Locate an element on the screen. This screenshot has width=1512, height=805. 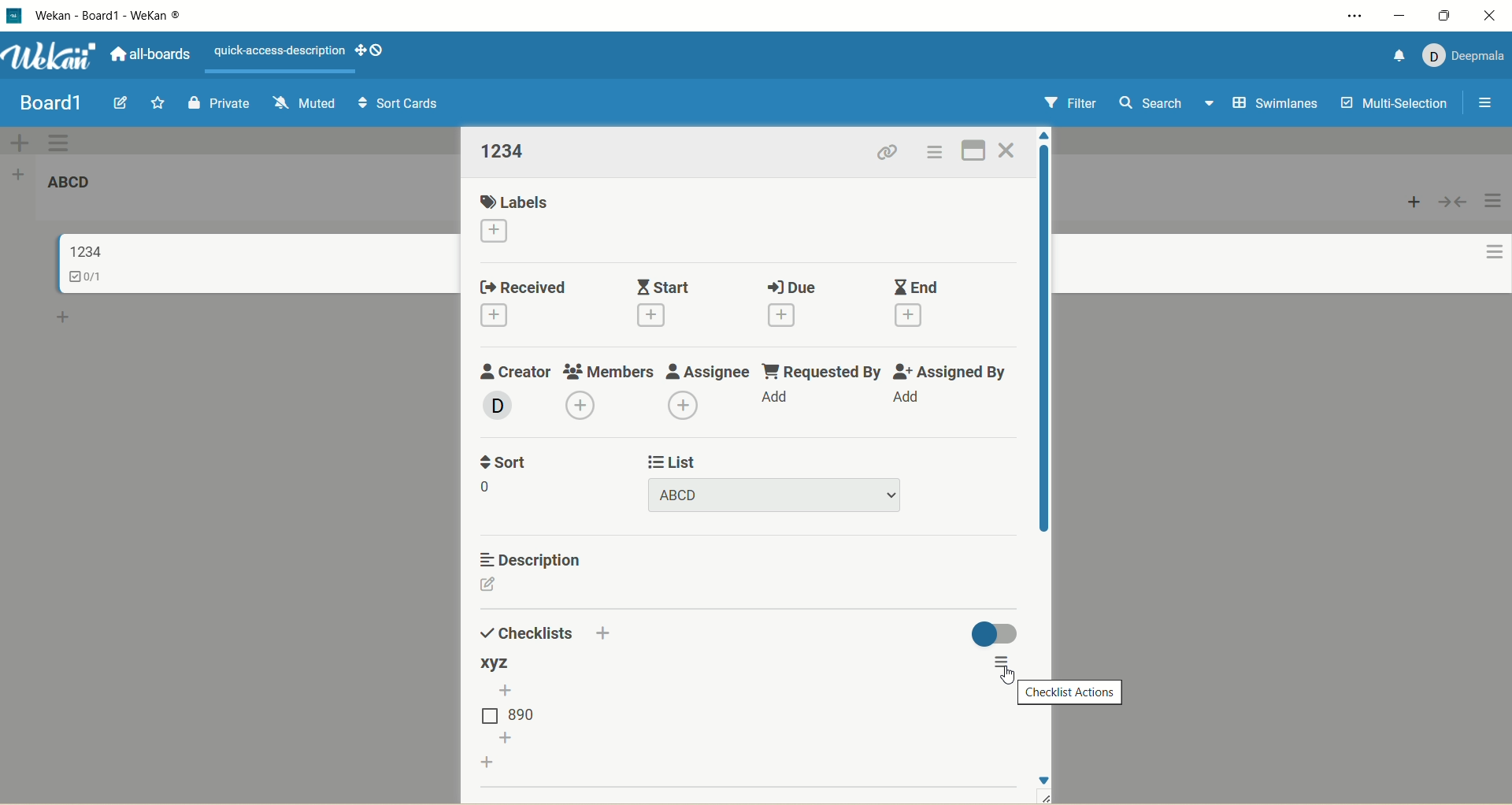
List is located at coordinates (670, 461).